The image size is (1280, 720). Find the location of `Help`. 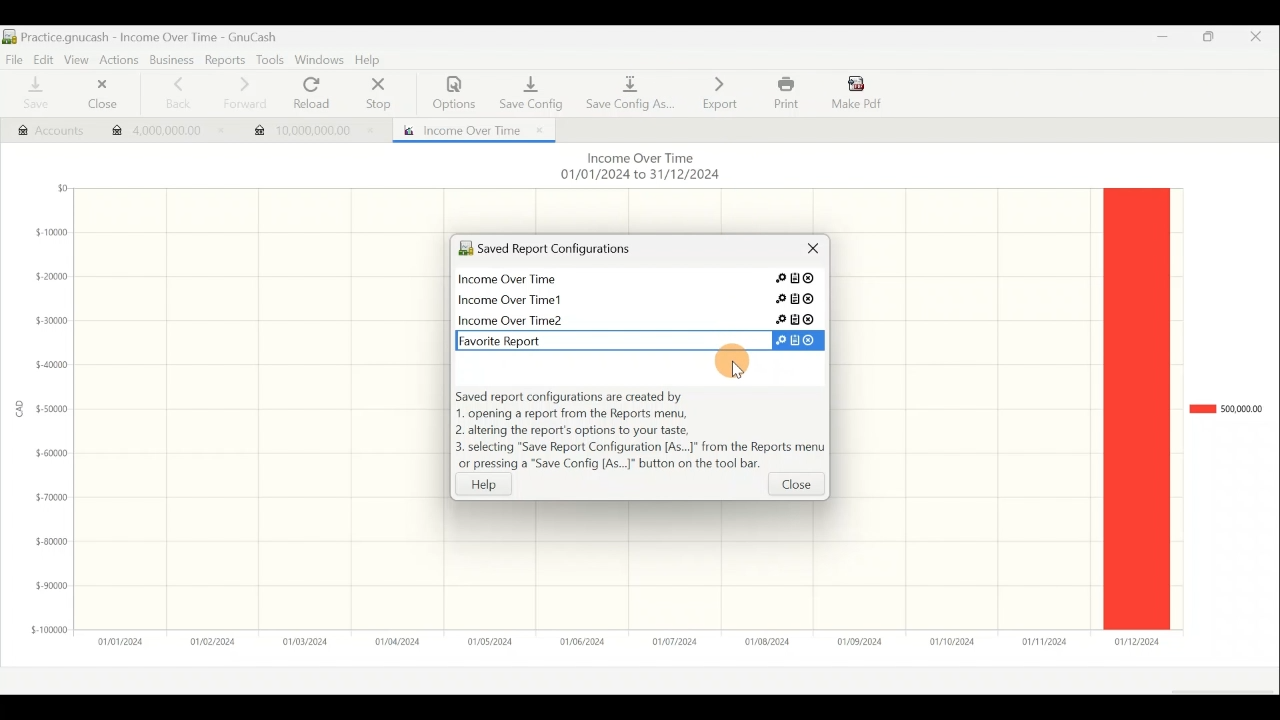

Help is located at coordinates (494, 484).